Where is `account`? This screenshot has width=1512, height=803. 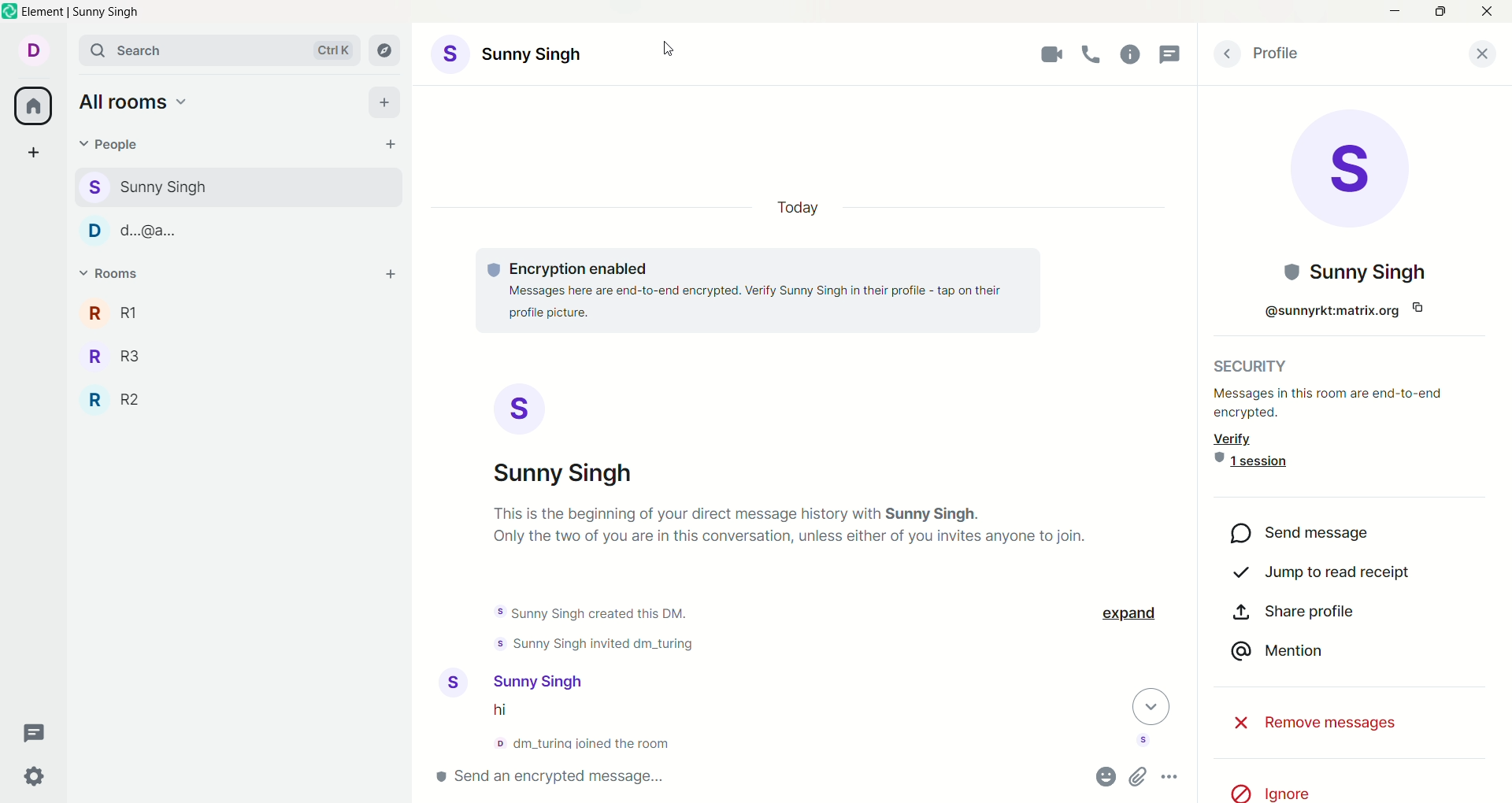
account is located at coordinates (32, 50).